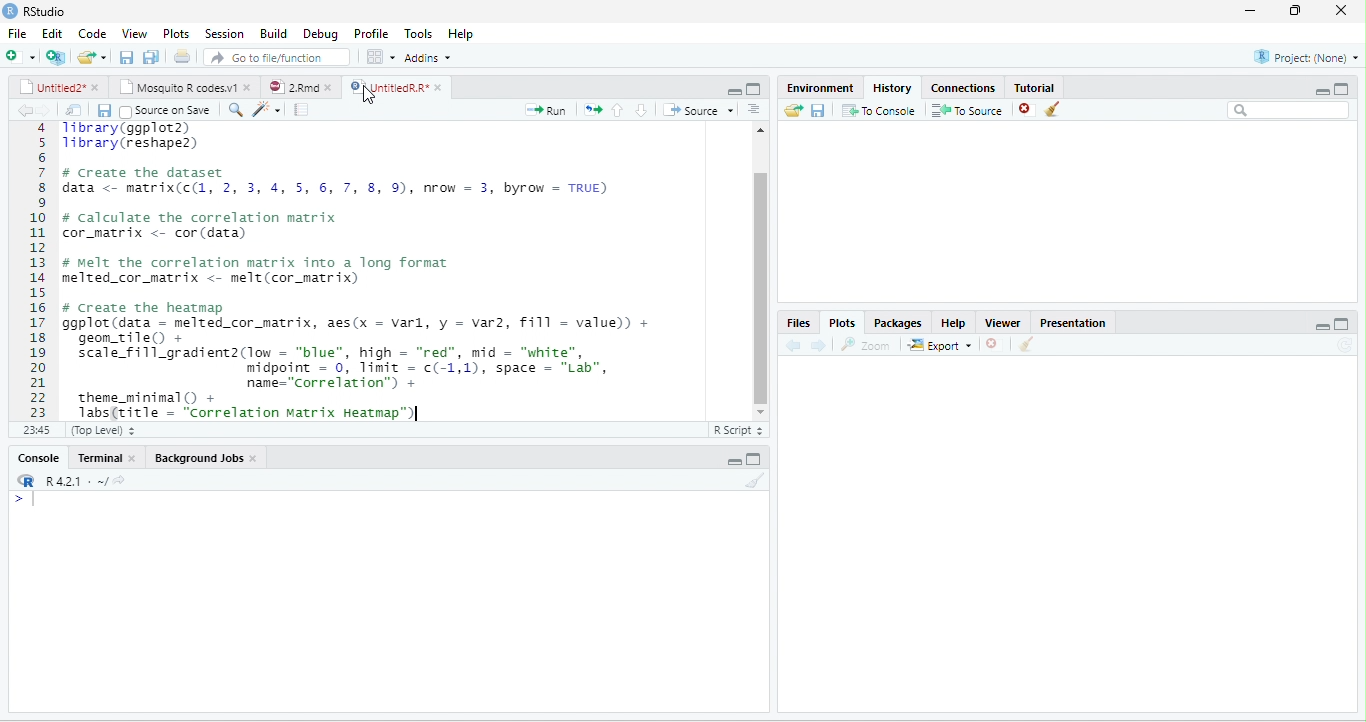 The image size is (1366, 722). Describe the element at coordinates (321, 35) in the screenshot. I see `debug` at that location.